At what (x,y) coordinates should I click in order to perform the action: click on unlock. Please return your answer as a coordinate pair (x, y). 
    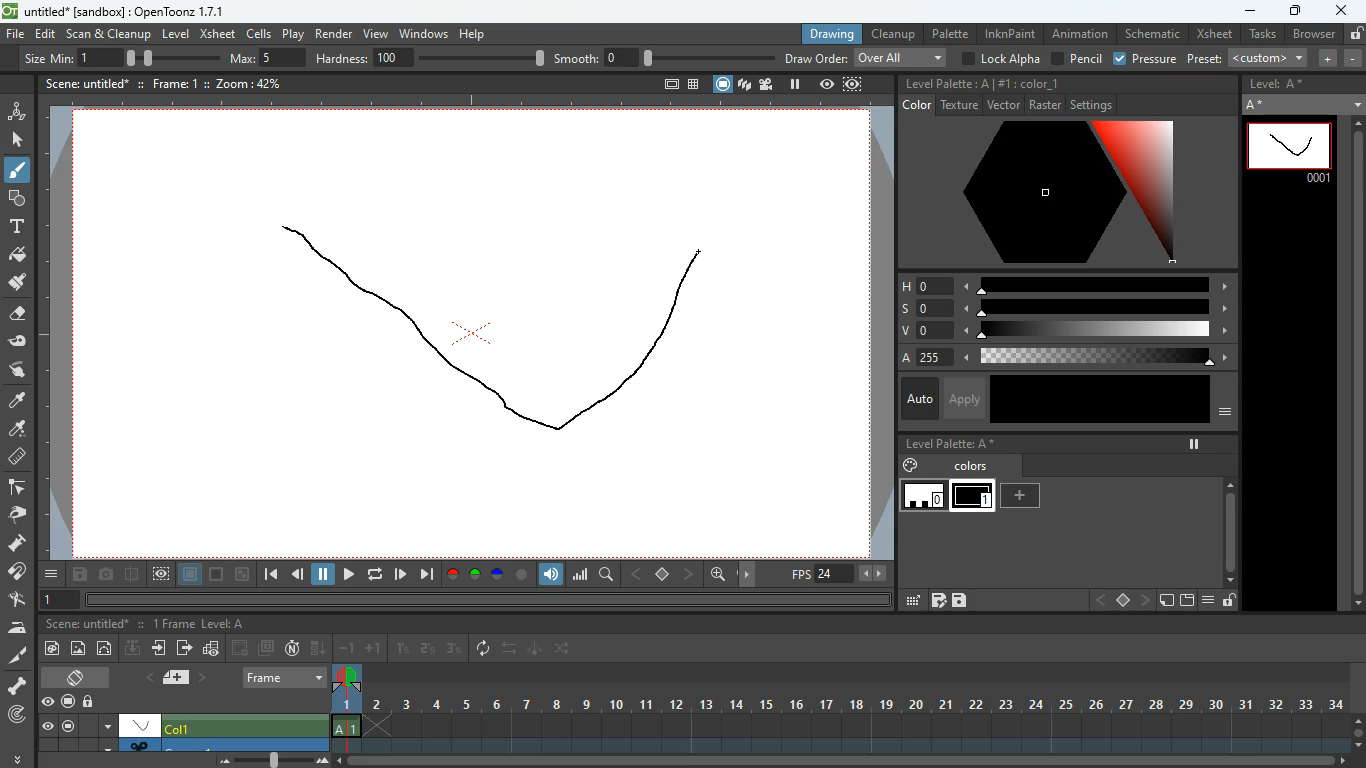
    Looking at the image, I should click on (1355, 33).